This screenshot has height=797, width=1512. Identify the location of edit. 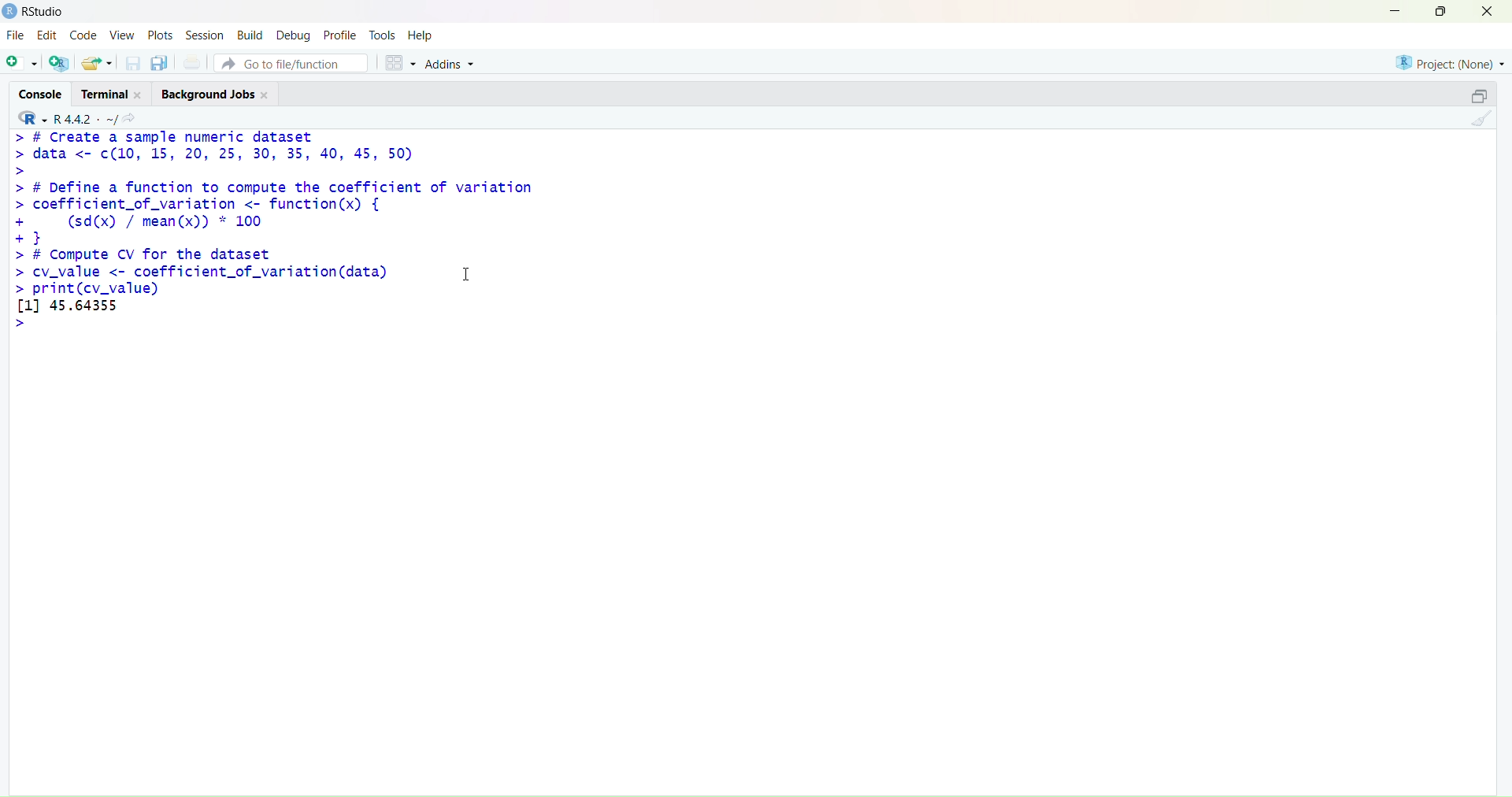
(47, 35).